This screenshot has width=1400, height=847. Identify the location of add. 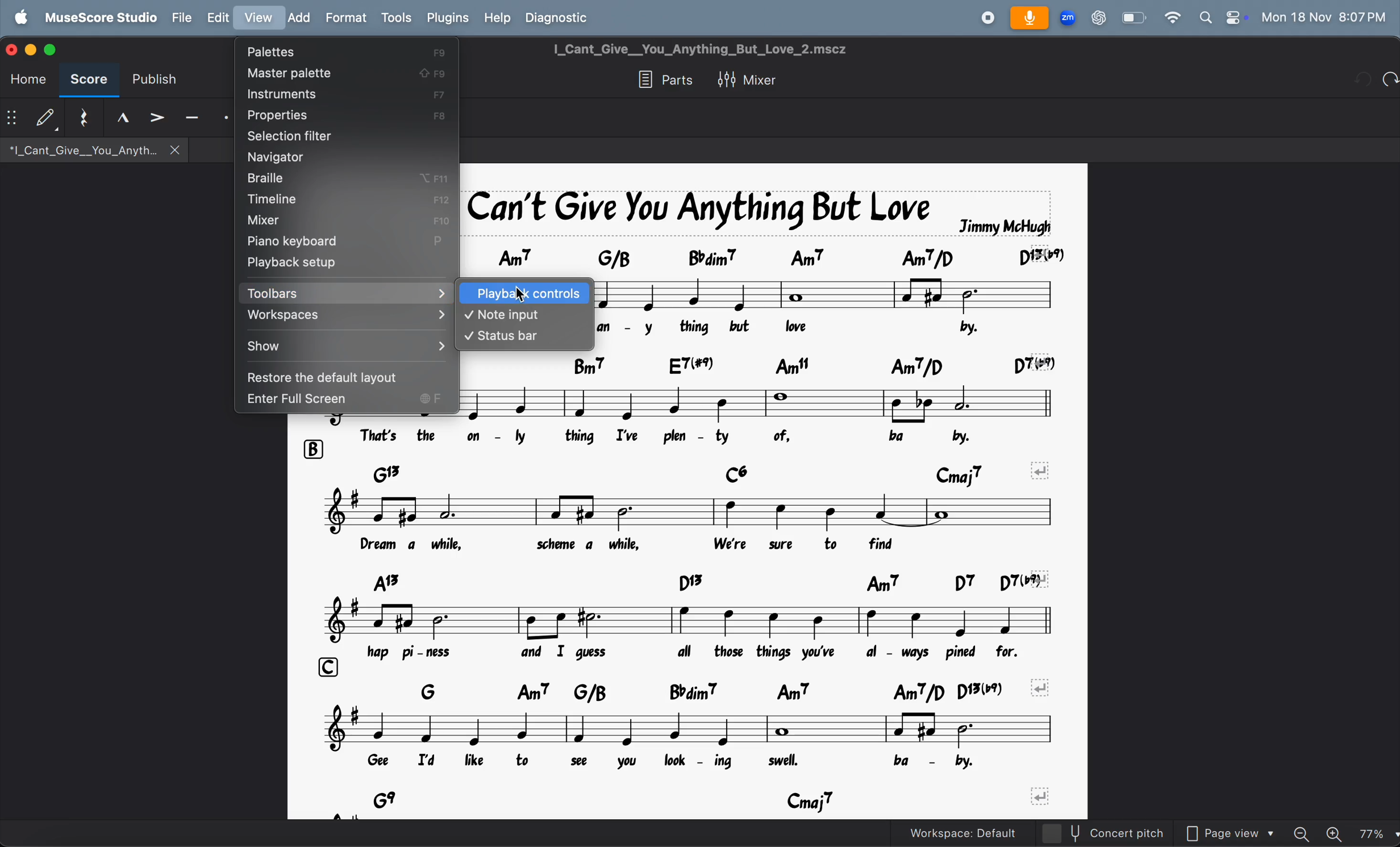
(298, 17).